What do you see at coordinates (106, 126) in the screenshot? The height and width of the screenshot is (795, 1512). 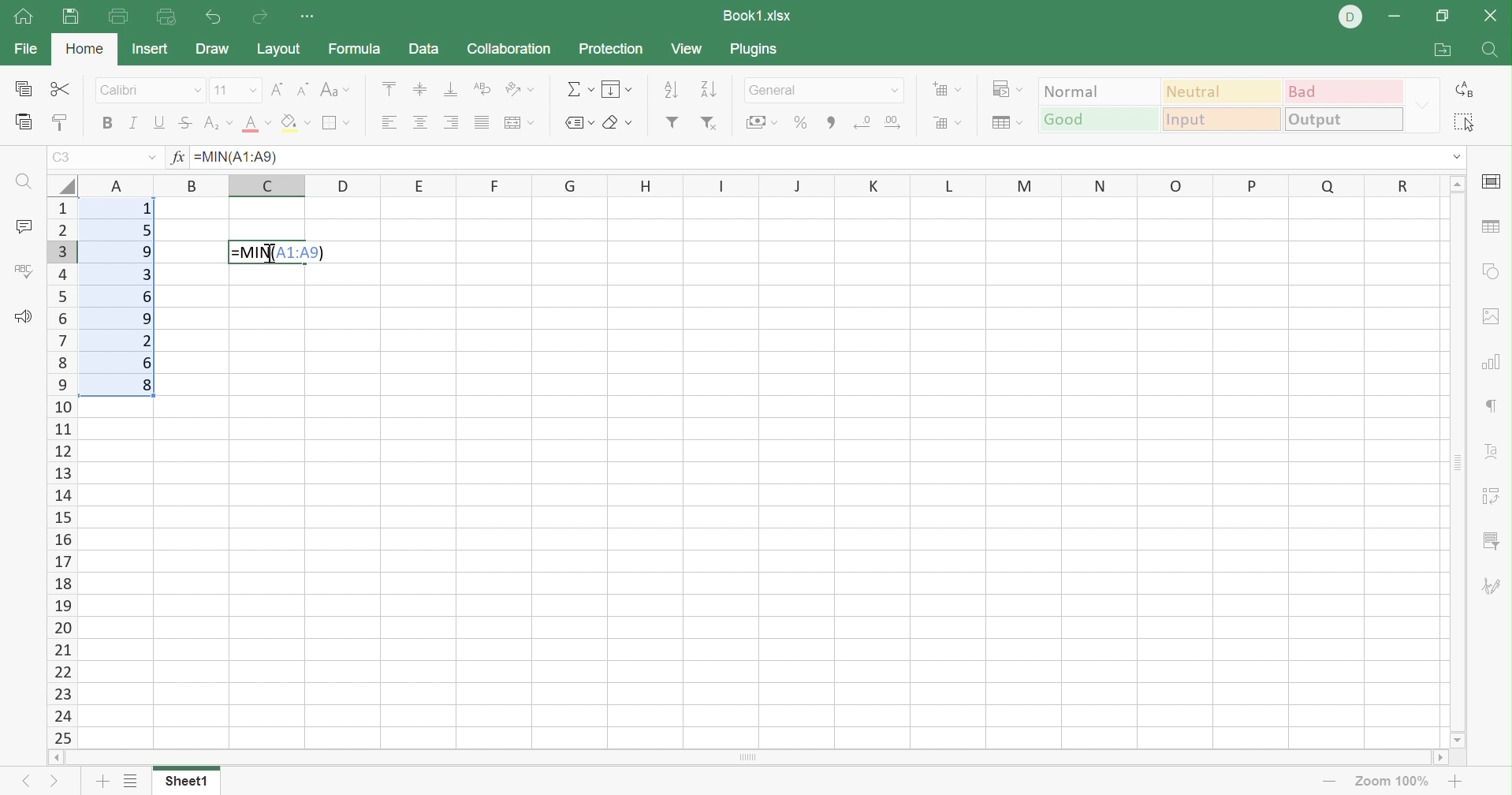 I see `Bold` at bounding box center [106, 126].